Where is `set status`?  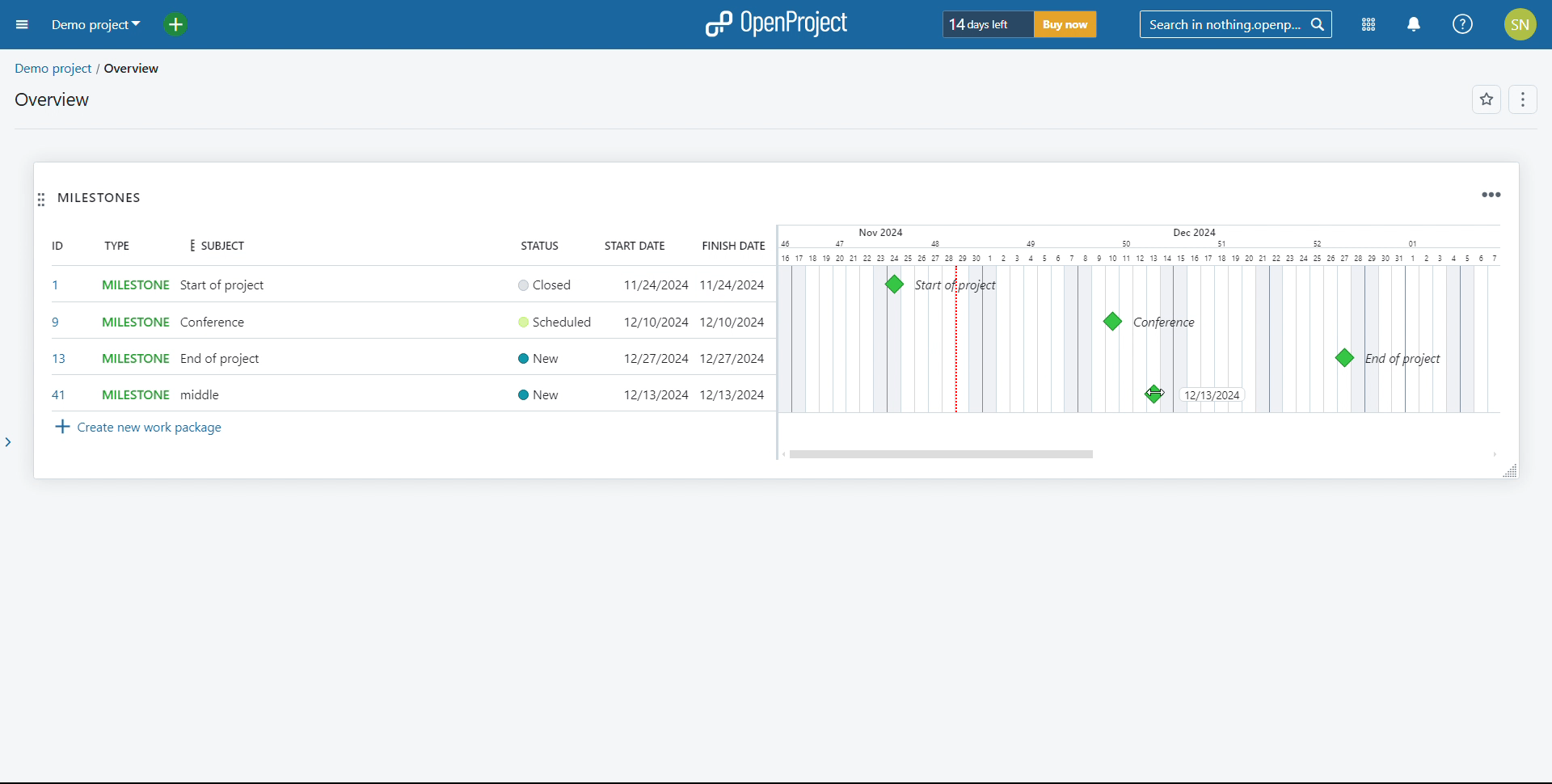
set status is located at coordinates (550, 340).